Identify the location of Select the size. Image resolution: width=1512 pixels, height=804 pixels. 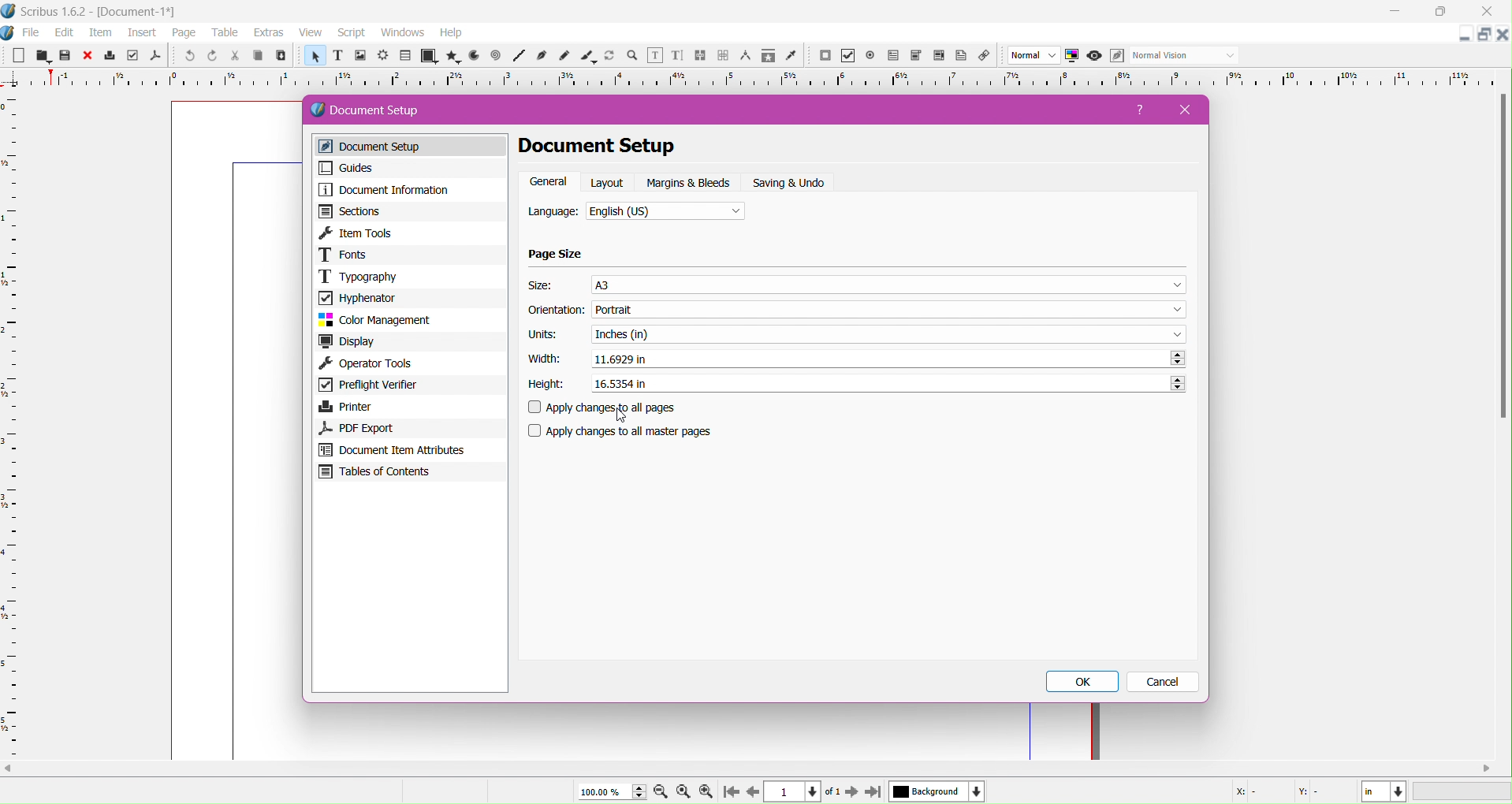
(889, 284).